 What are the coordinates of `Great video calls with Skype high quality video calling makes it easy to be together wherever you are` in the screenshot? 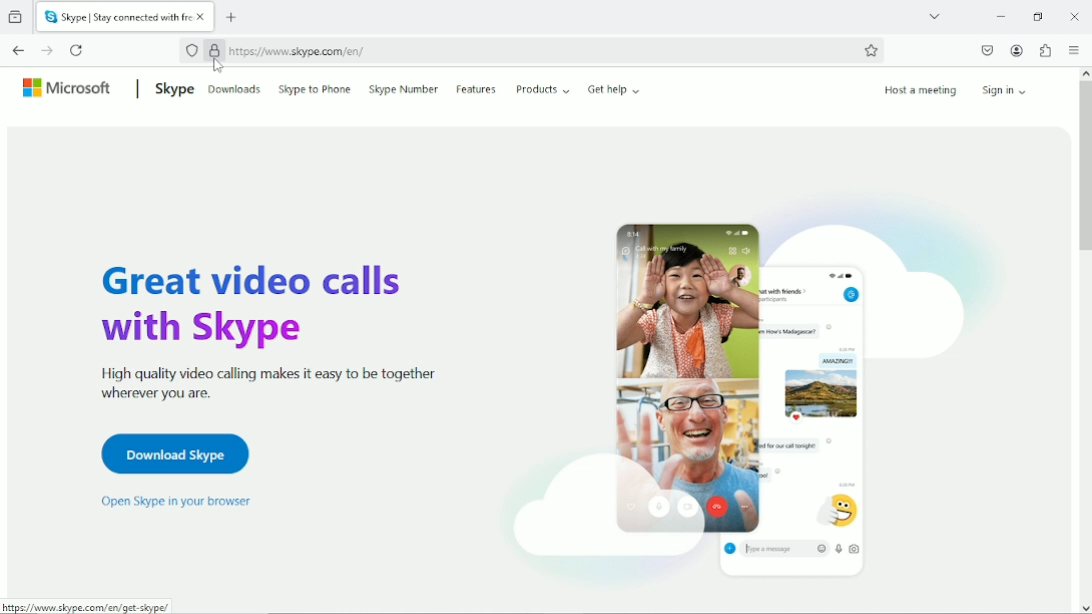 It's located at (261, 329).